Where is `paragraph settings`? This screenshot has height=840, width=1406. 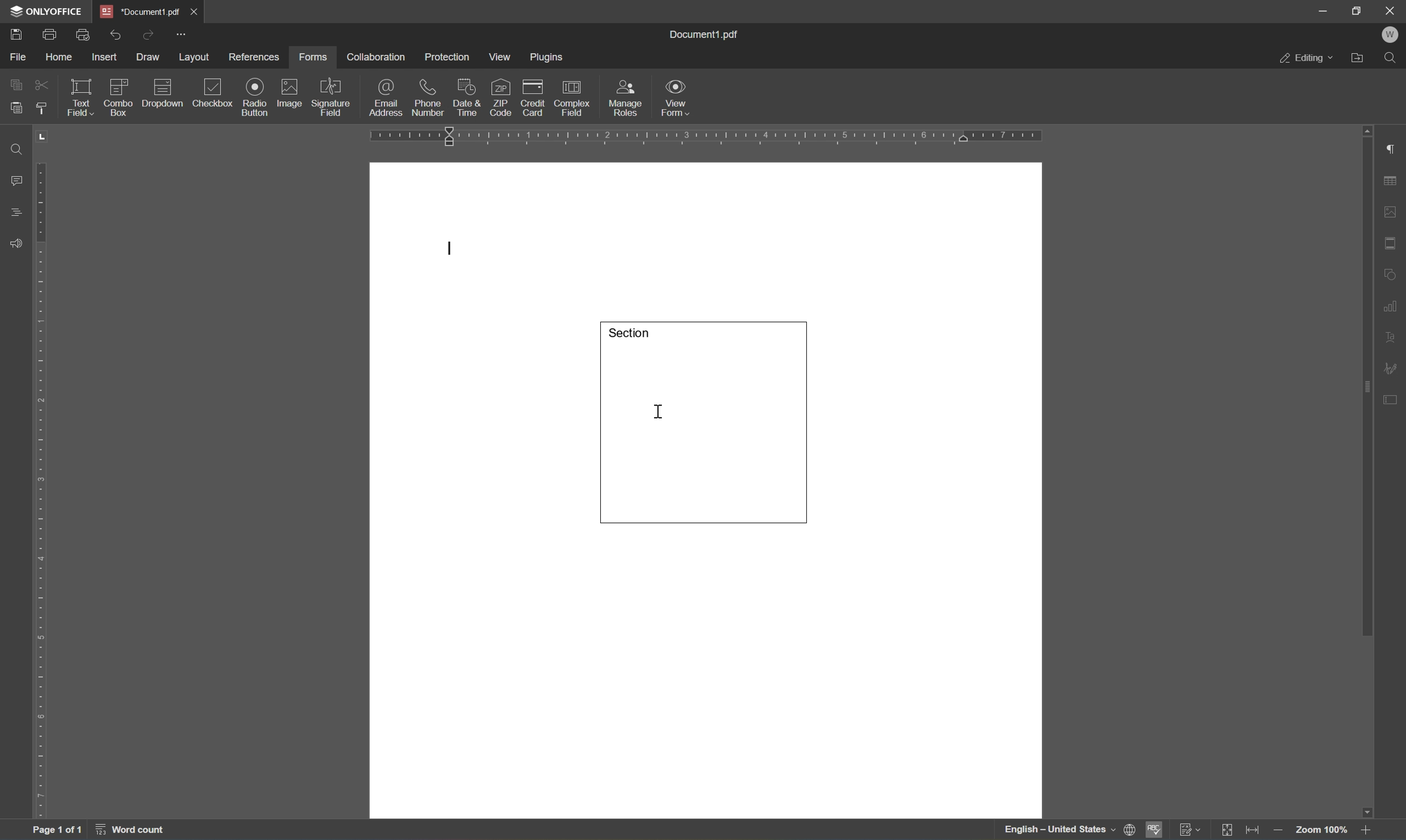
paragraph settings is located at coordinates (1394, 150).